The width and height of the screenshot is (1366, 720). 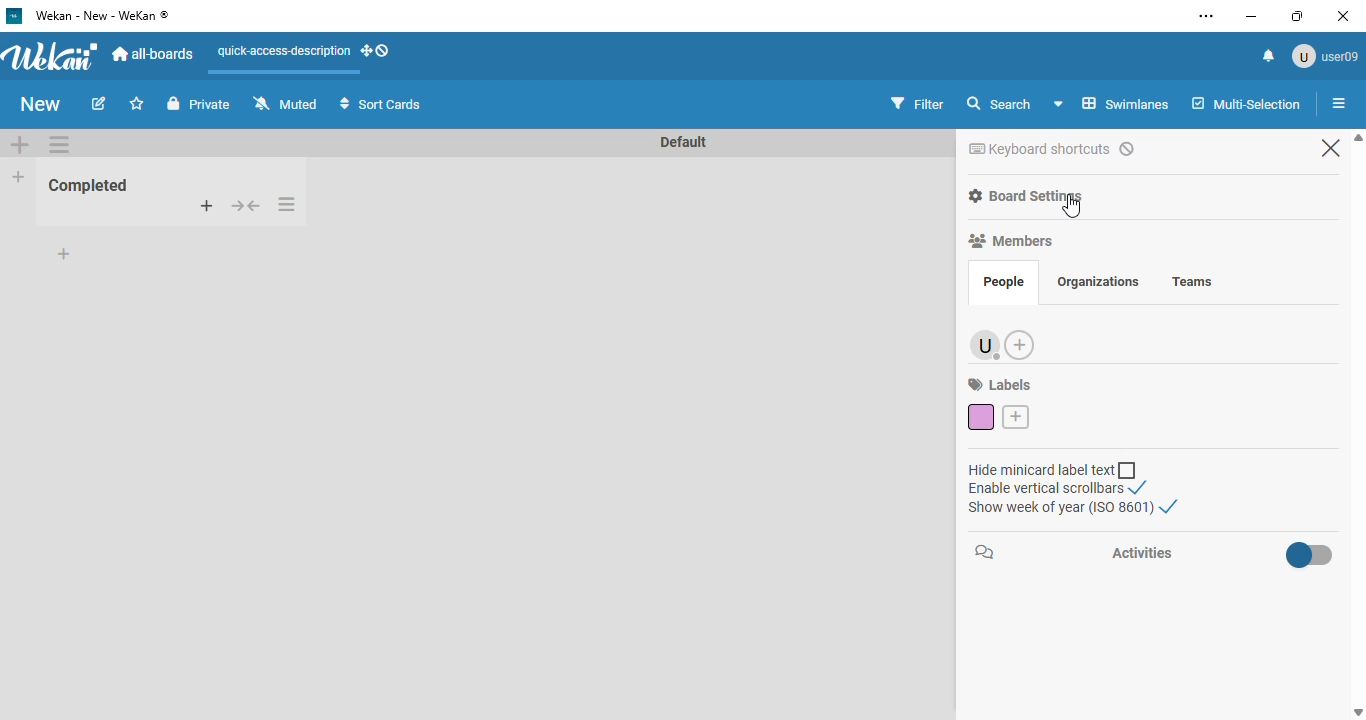 What do you see at coordinates (1001, 104) in the screenshot?
I see `search` at bounding box center [1001, 104].